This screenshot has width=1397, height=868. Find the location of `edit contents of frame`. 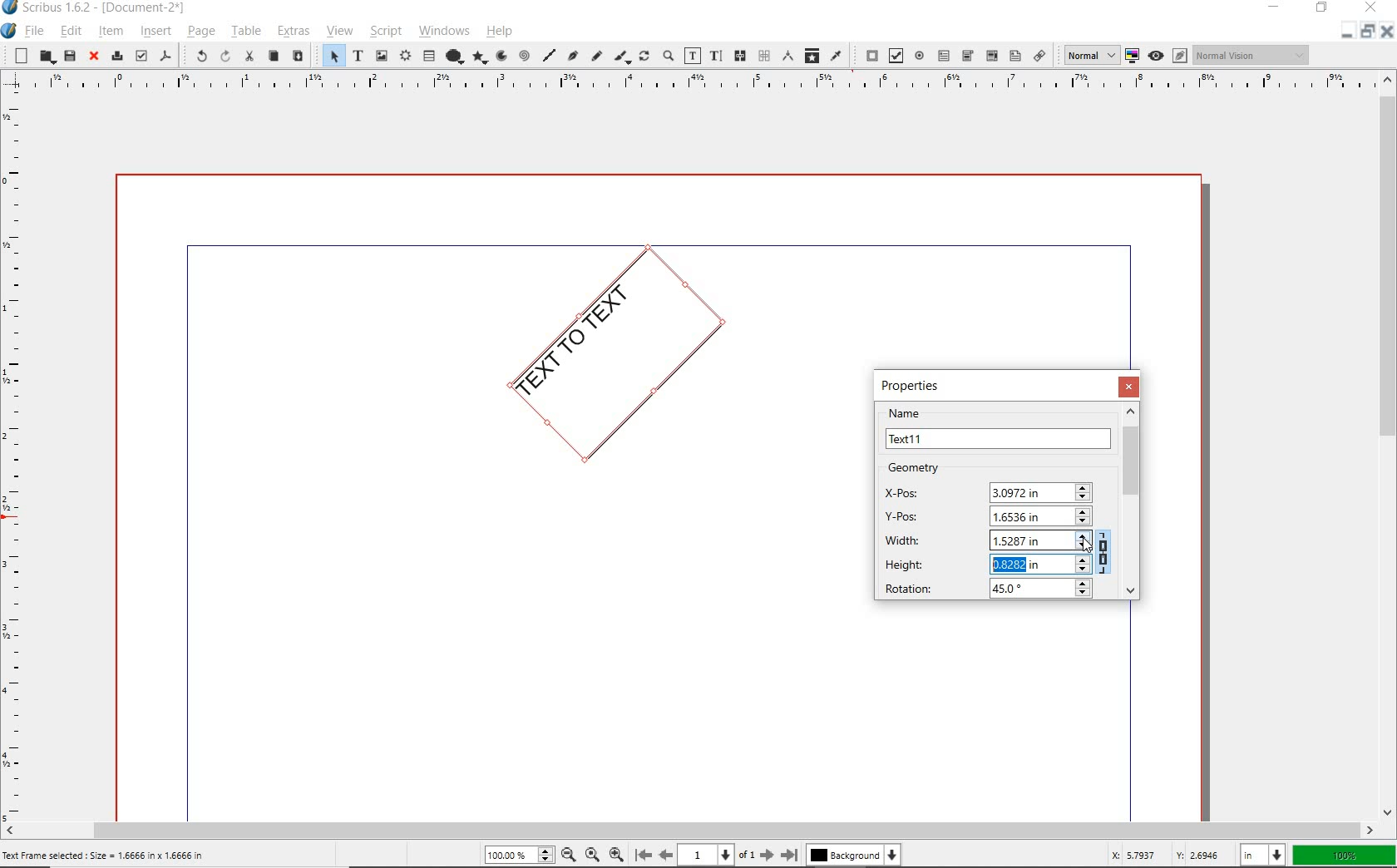

edit contents of frame is located at coordinates (693, 55).